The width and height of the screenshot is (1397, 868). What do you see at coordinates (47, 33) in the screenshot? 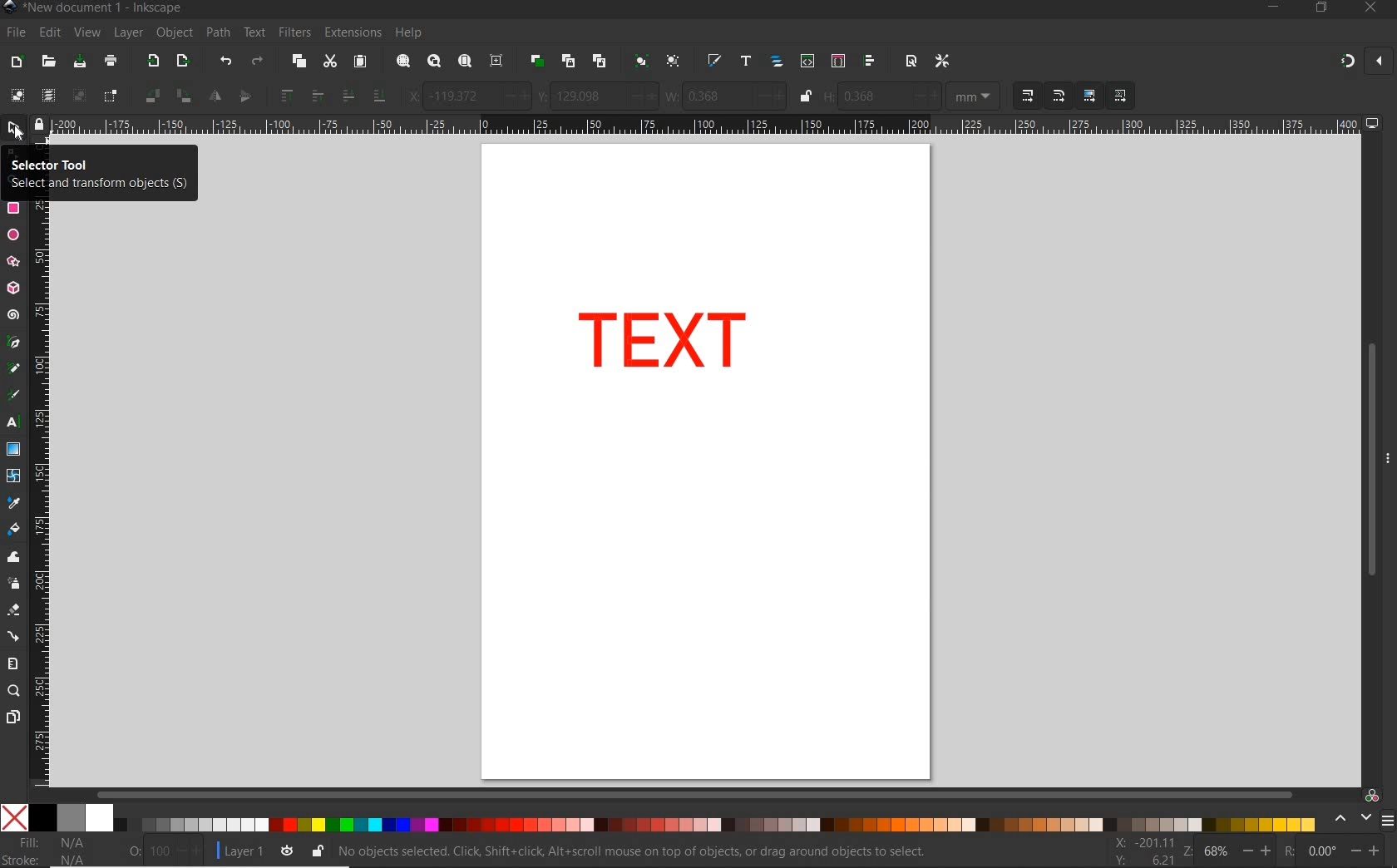
I see `EDIT` at bounding box center [47, 33].